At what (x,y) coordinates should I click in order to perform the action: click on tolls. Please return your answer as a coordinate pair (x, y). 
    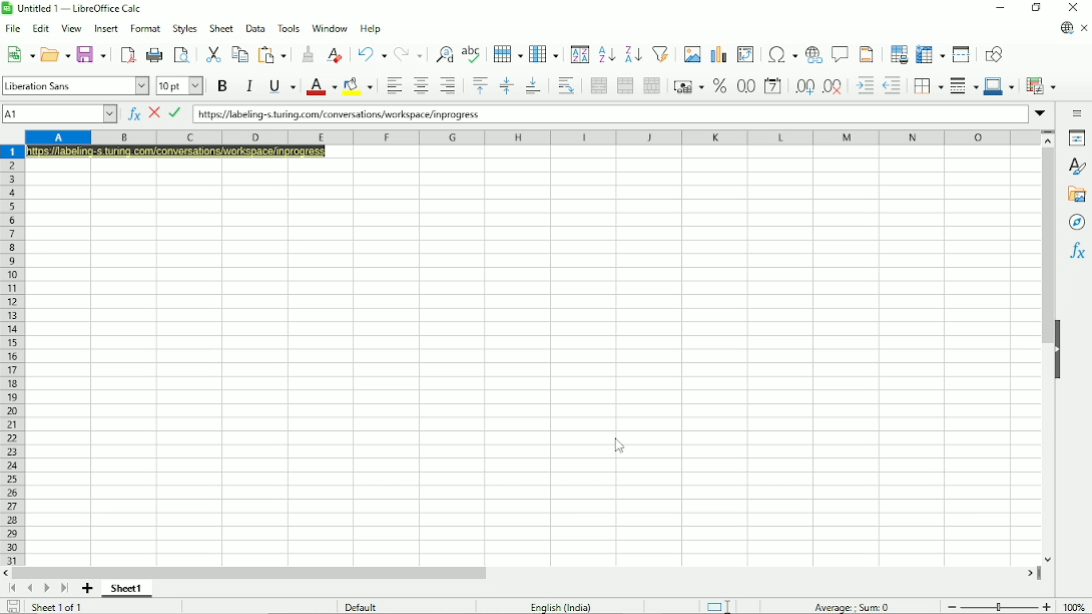
    Looking at the image, I should click on (288, 27).